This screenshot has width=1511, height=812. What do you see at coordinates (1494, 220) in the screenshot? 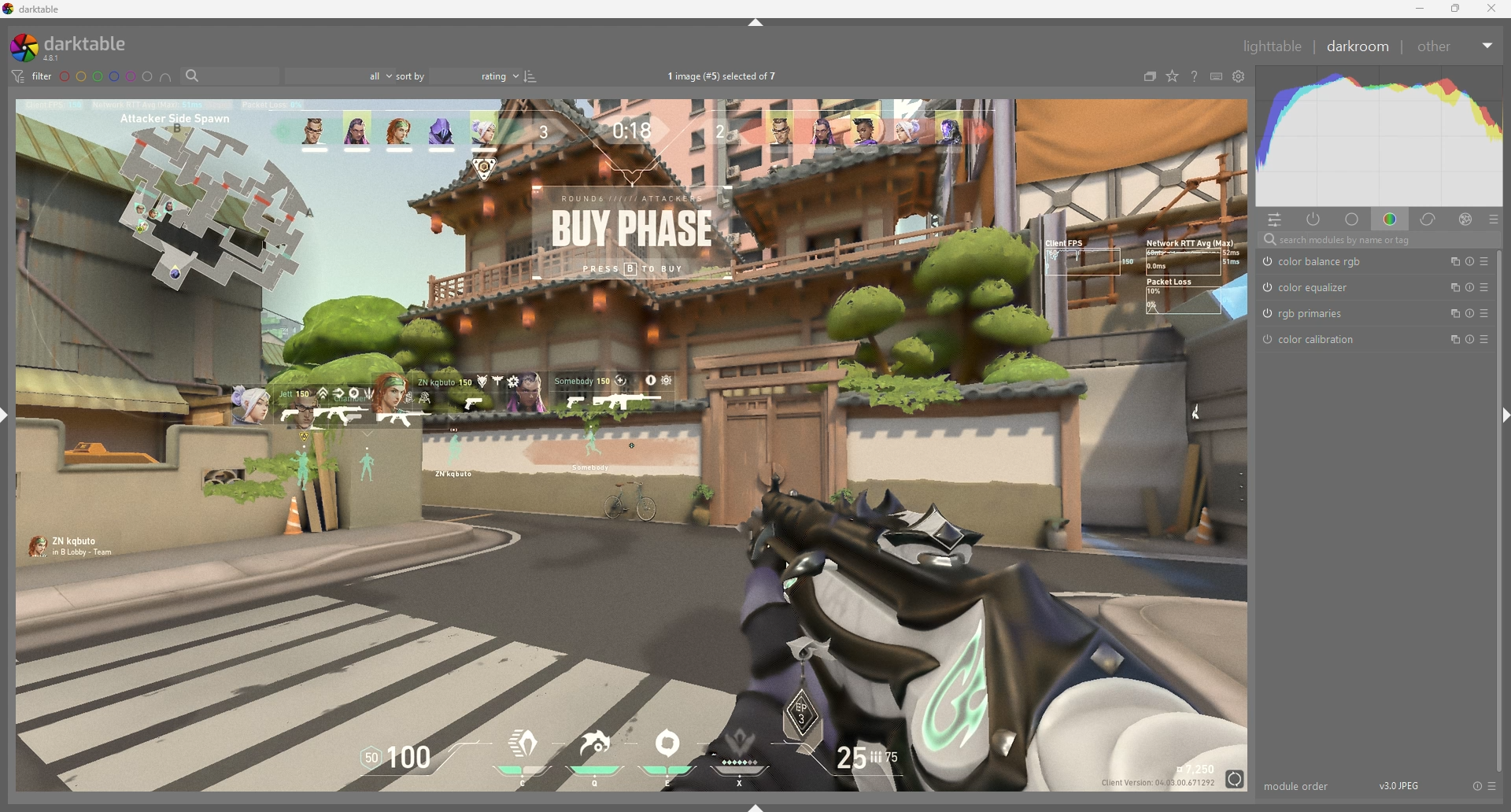
I see `presets` at bounding box center [1494, 220].